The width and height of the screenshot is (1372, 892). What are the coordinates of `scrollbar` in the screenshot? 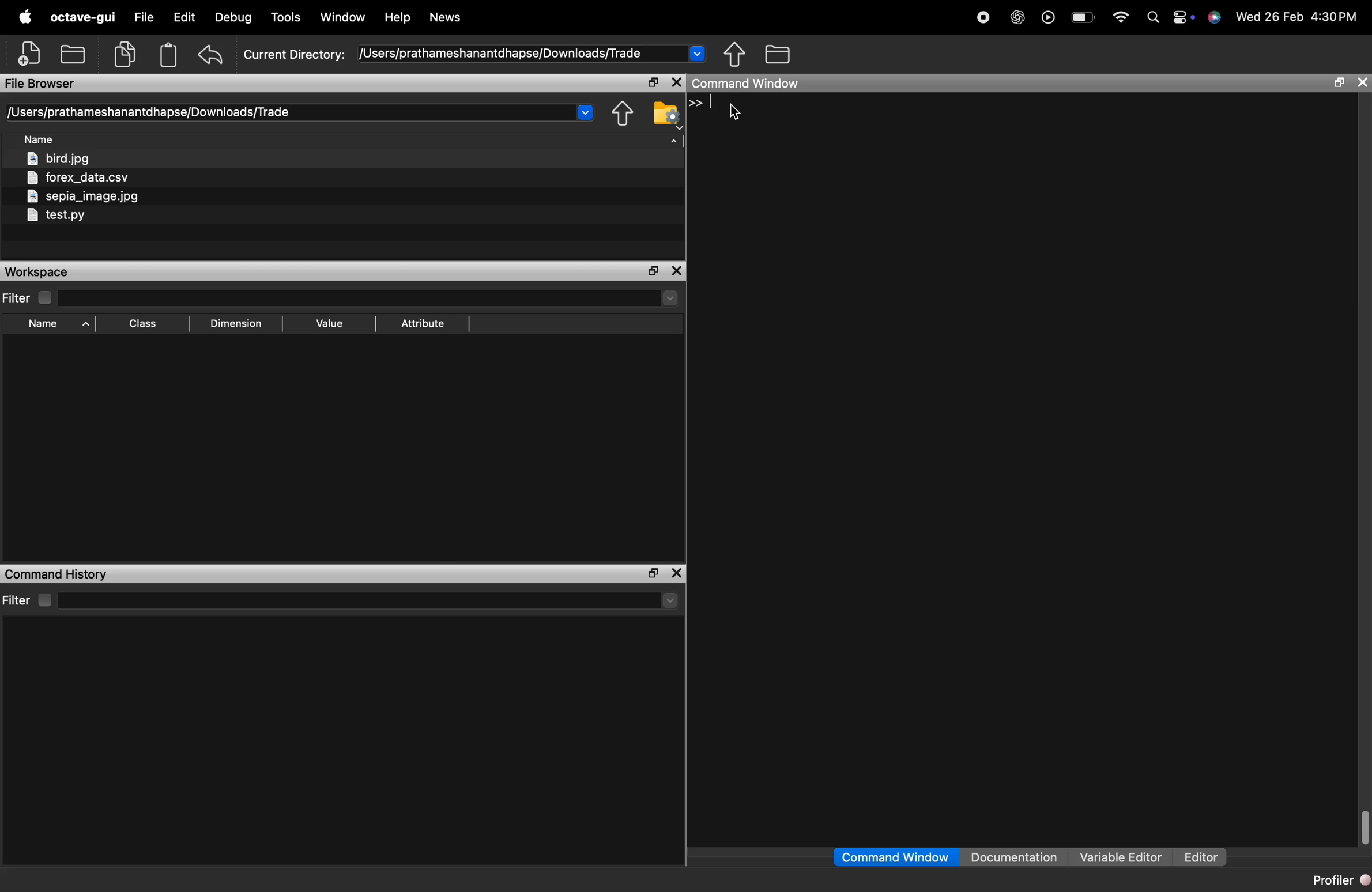 It's located at (1363, 828).